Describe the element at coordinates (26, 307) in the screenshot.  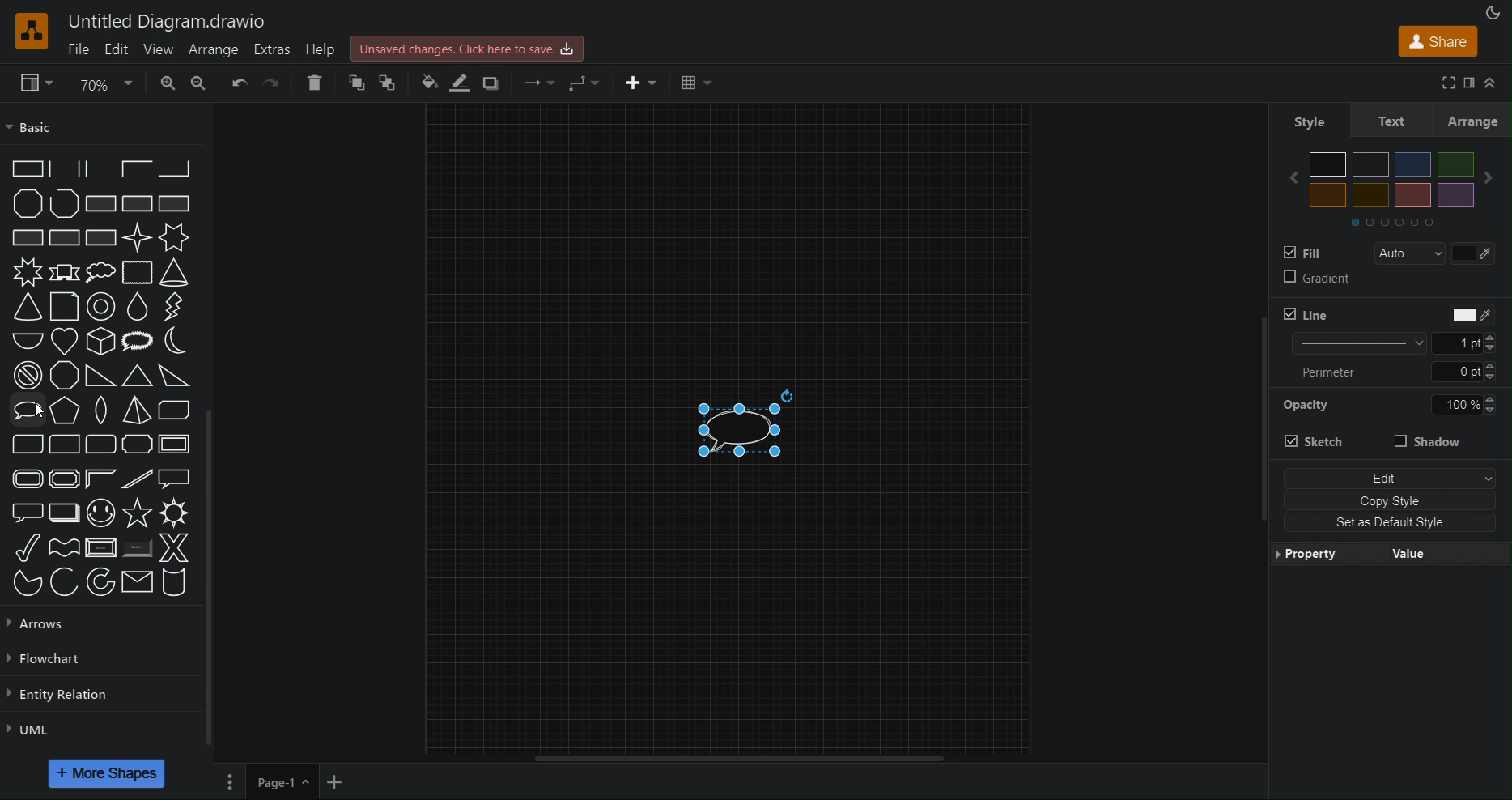
I see `Cone (adjustable)` at that location.